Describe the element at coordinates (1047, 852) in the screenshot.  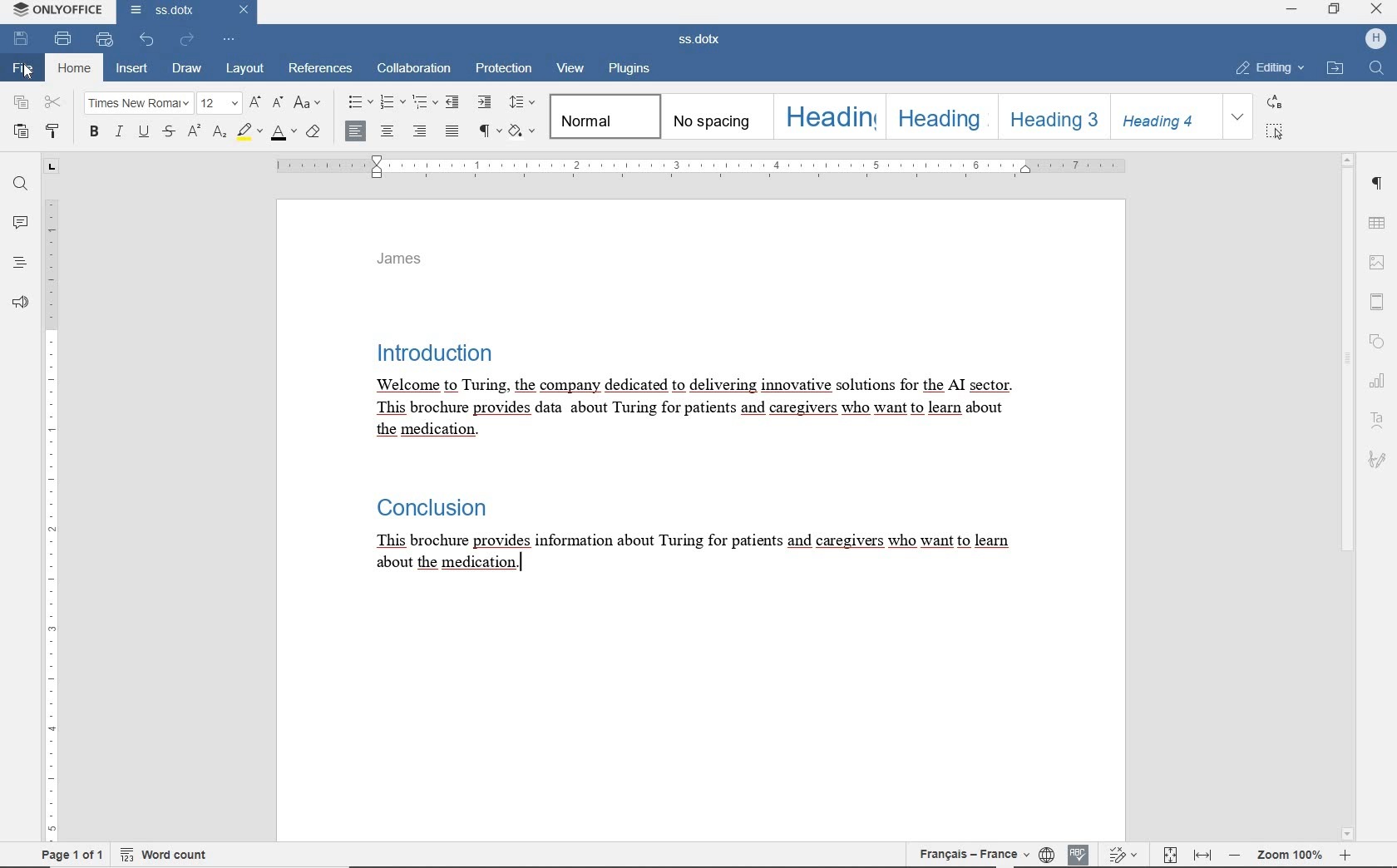
I see `SET DOCUMENT LANGUAGE` at that location.